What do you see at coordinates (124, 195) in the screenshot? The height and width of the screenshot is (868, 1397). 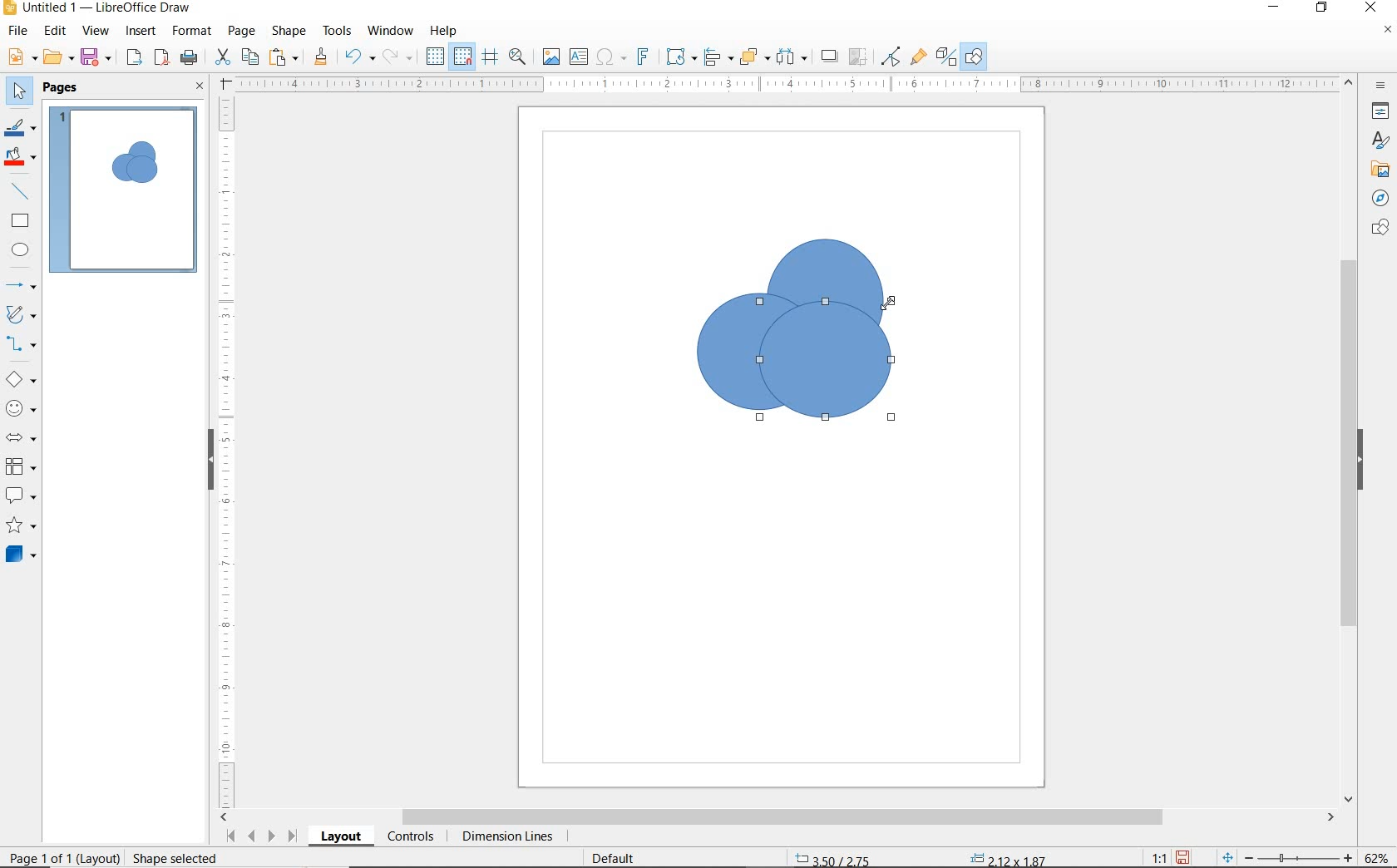 I see `PAGE 1` at bounding box center [124, 195].